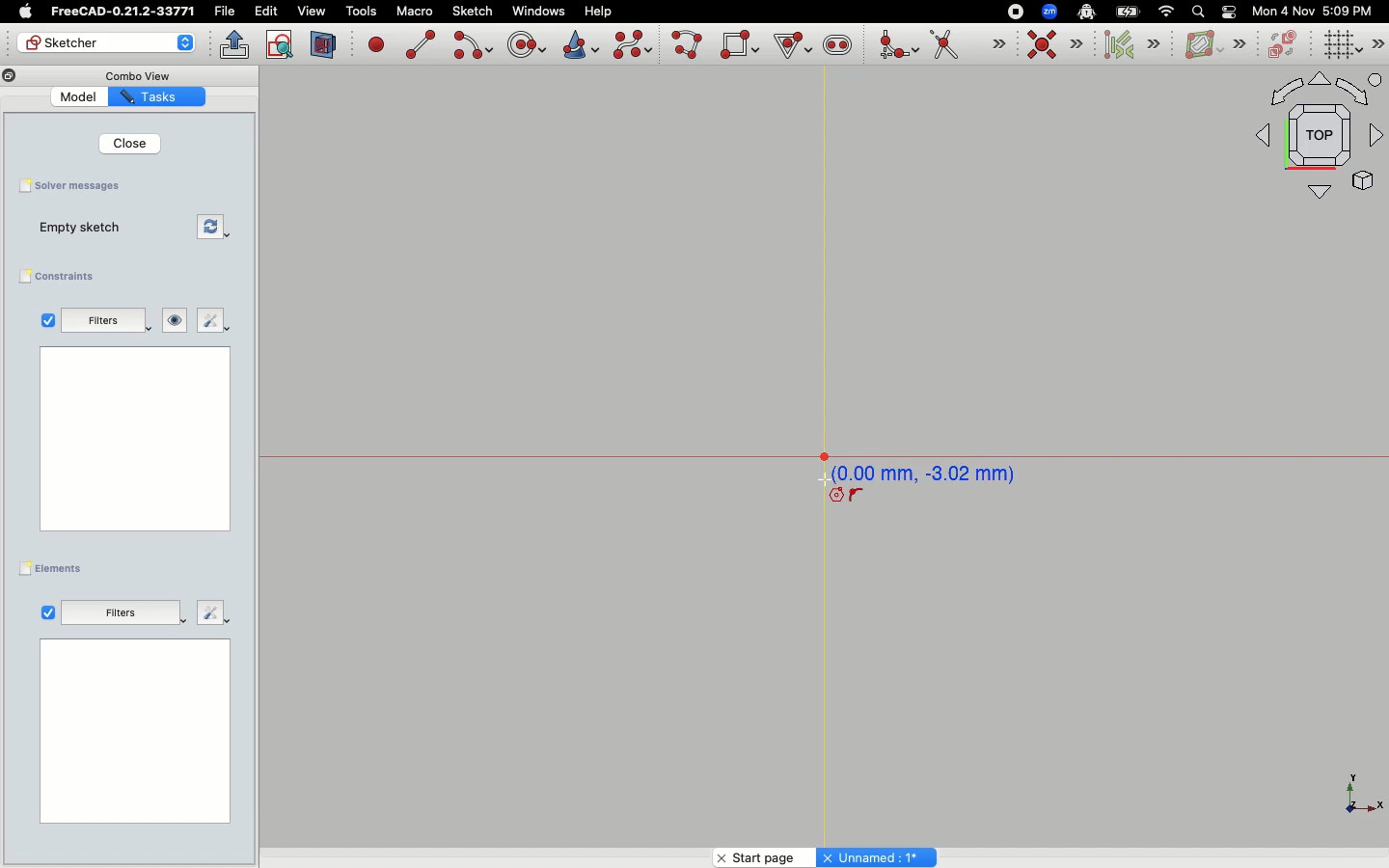 The height and width of the screenshot is (868, 1389). What do you see at coordinates (81, 98) in the screenshot?
I see `Model` at bounding box center [81, 98].